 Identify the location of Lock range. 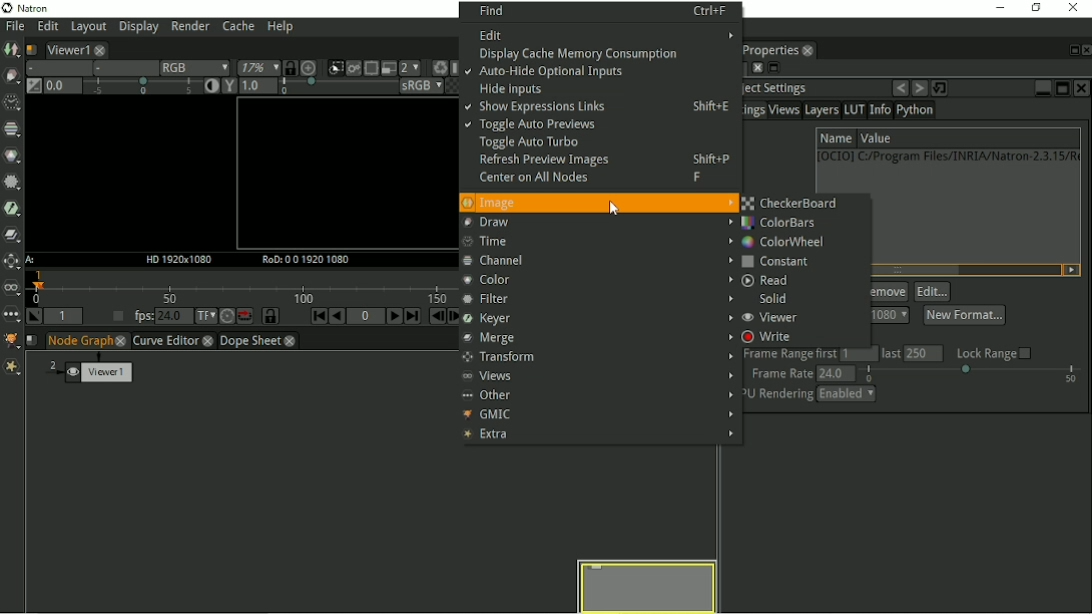
(994, 353).